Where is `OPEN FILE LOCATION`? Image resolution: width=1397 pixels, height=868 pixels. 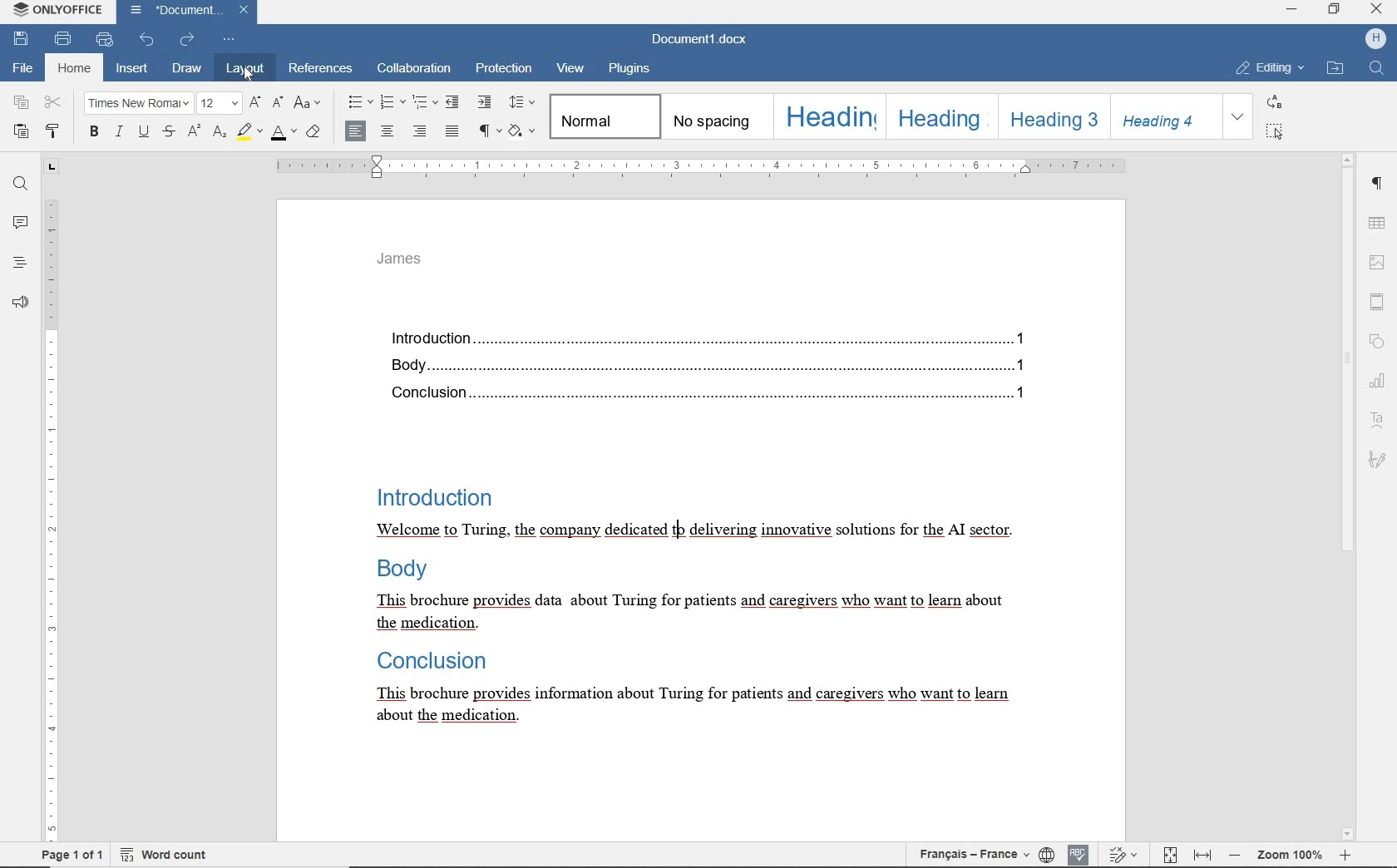
OPEN FILE LOCATION is located at coordinates (1337, 67).